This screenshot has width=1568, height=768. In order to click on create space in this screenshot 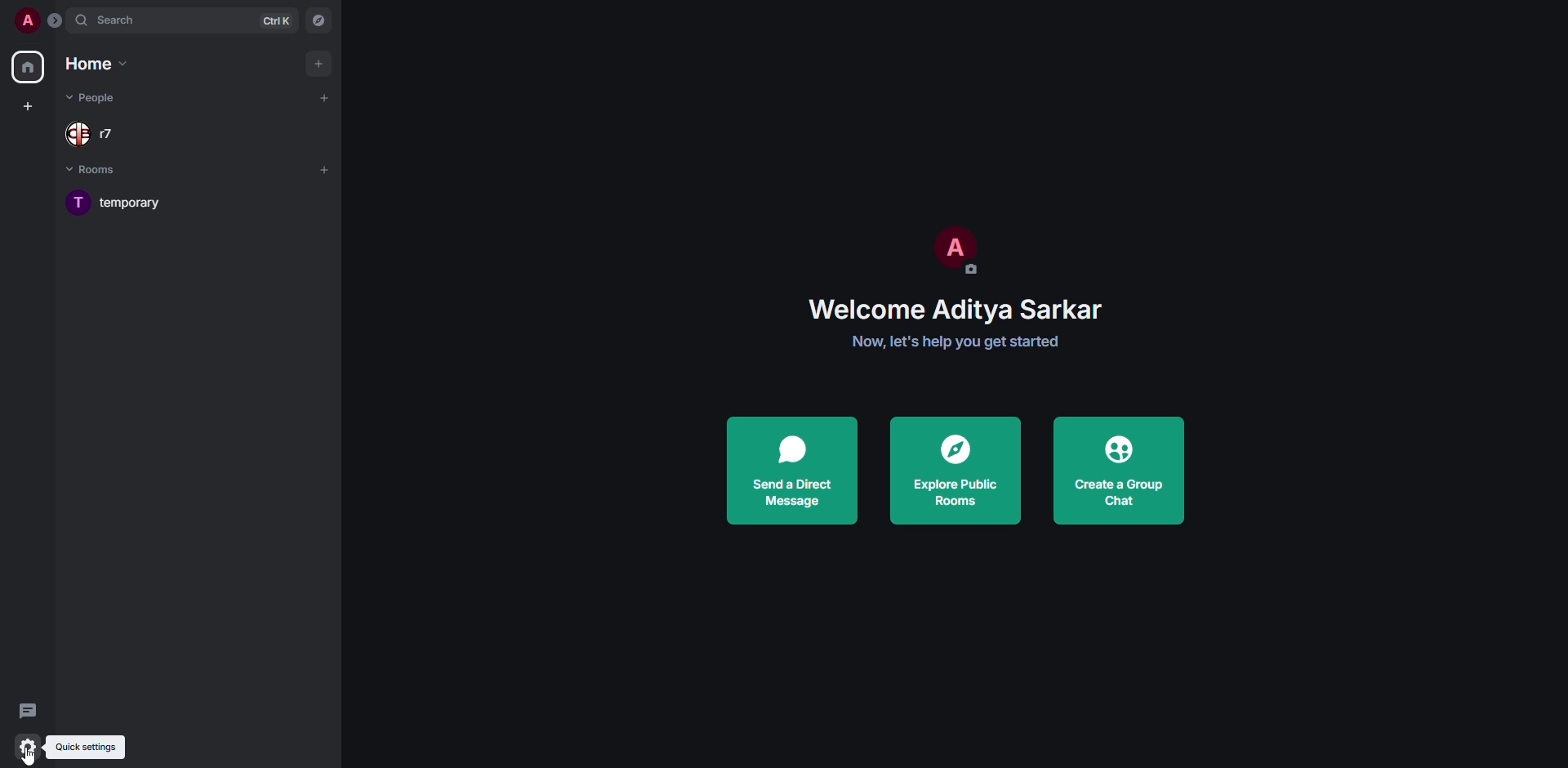, I will do `click(28, 107)`.